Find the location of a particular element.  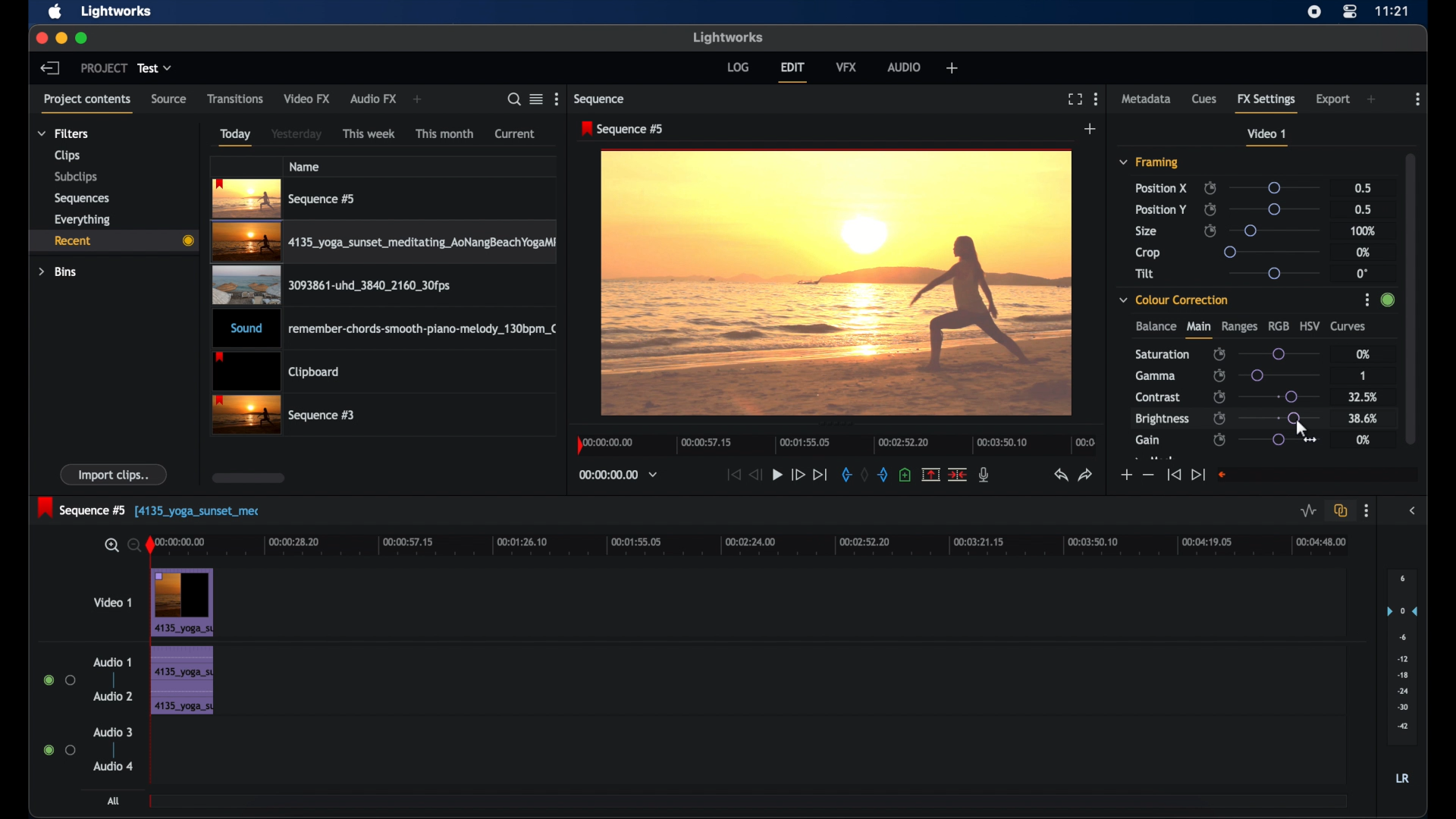

add is located at coordinates (952, 67).